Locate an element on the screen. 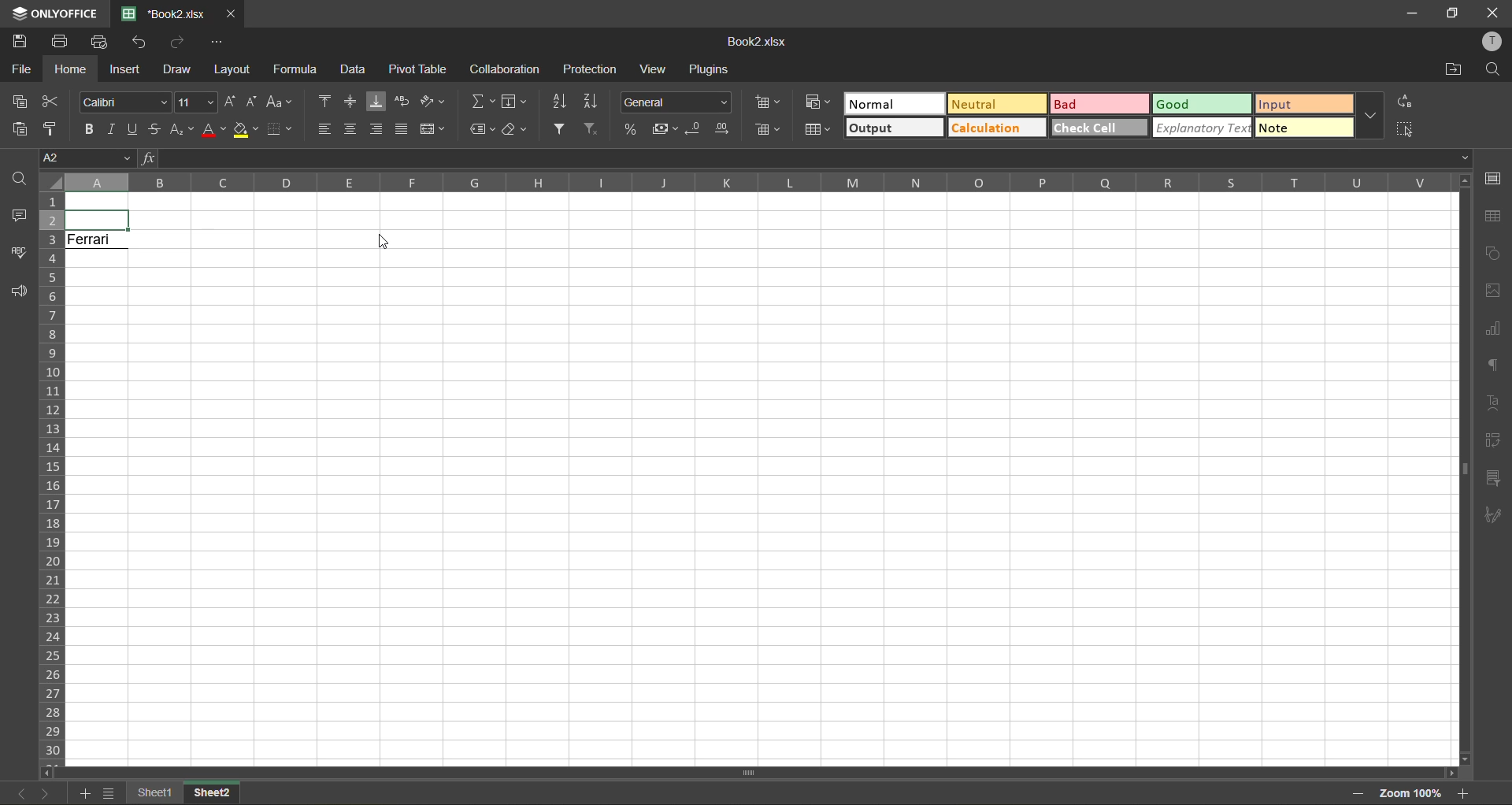 The width and height of the screenshot is (1512, 805). named ranges is located at coordinates (484, 129).